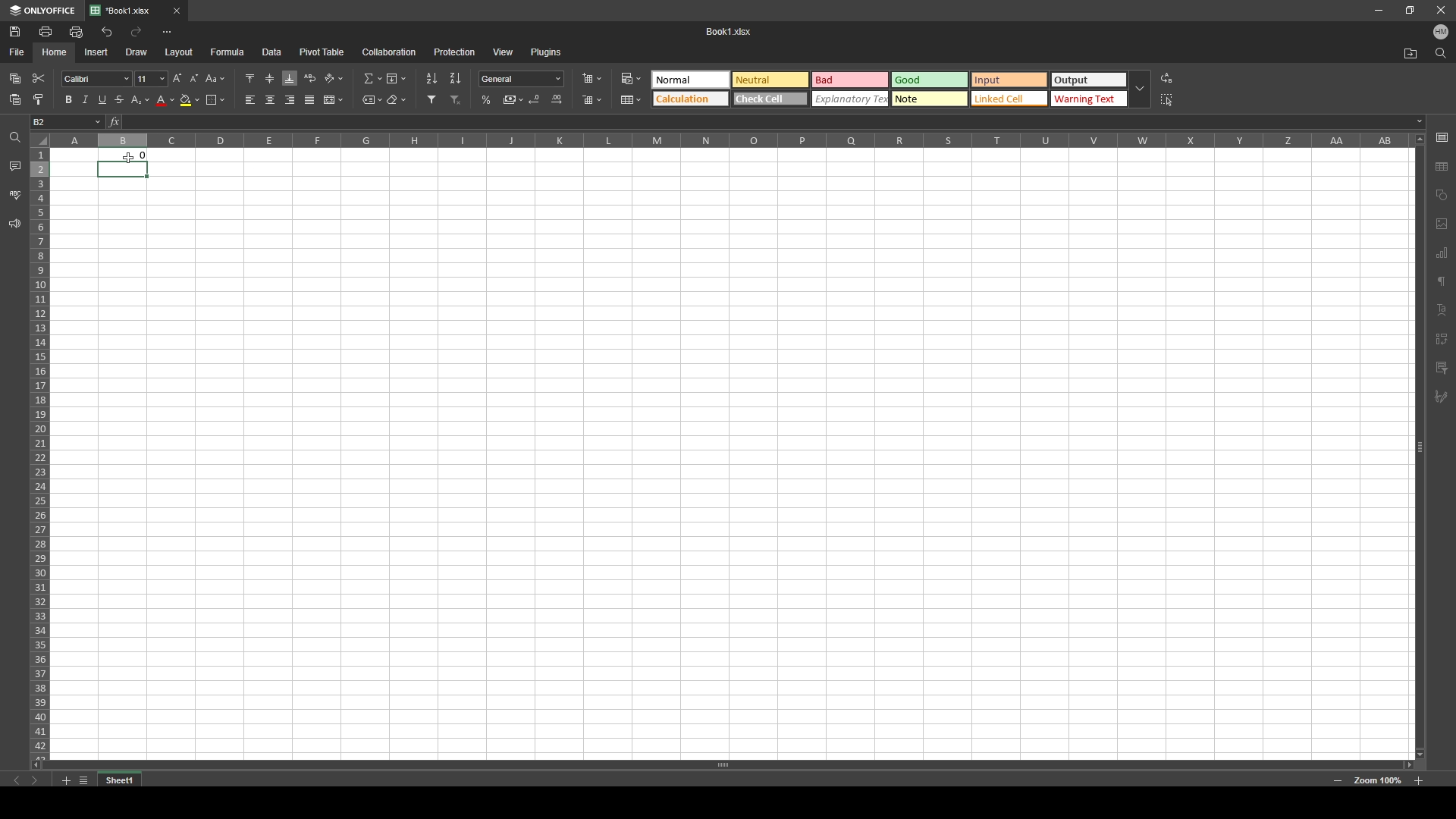 The height and width of the screenshot is (819, 1456). I want to click on underline, so click(102, 100).